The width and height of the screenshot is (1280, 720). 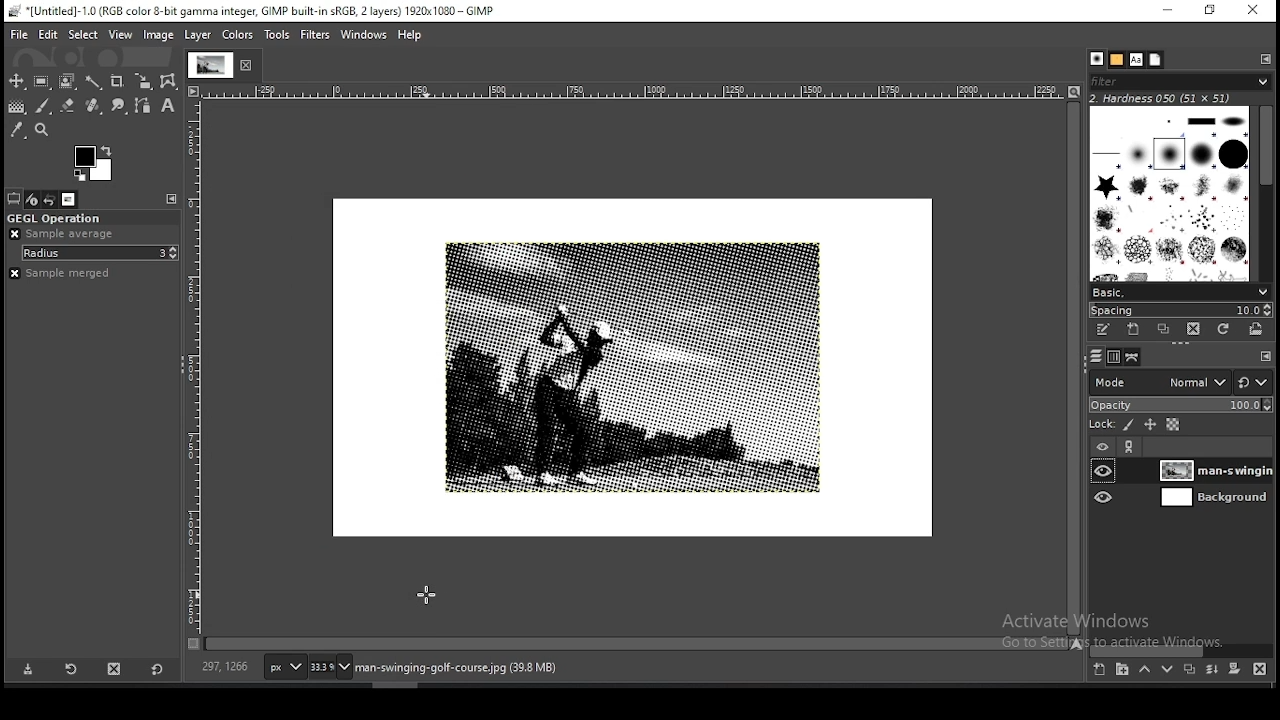 I want to click on close window, so click(x=1253, y=10).